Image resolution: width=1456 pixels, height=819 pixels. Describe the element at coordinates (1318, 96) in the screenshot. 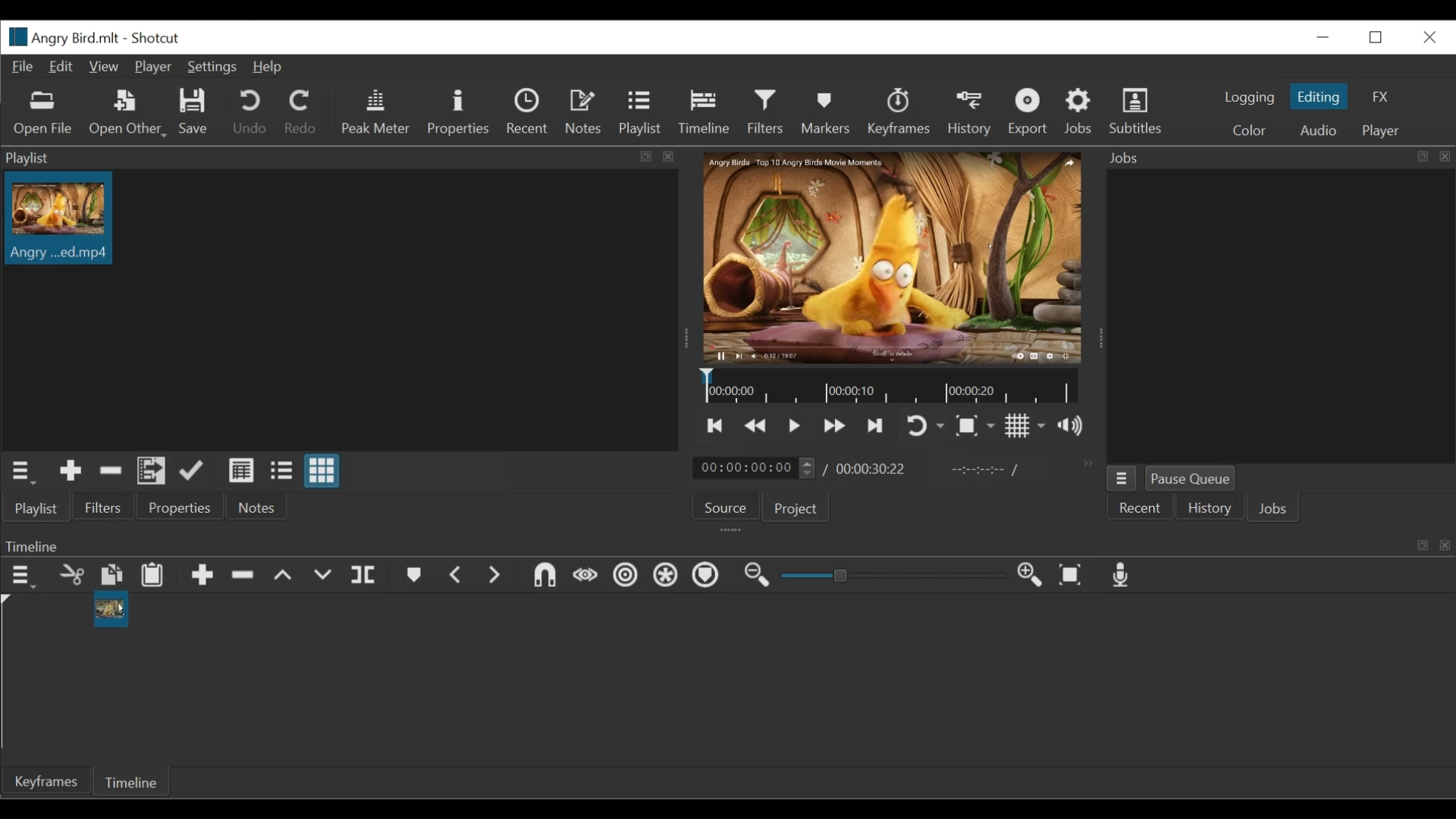

I see `Editing` at that location.